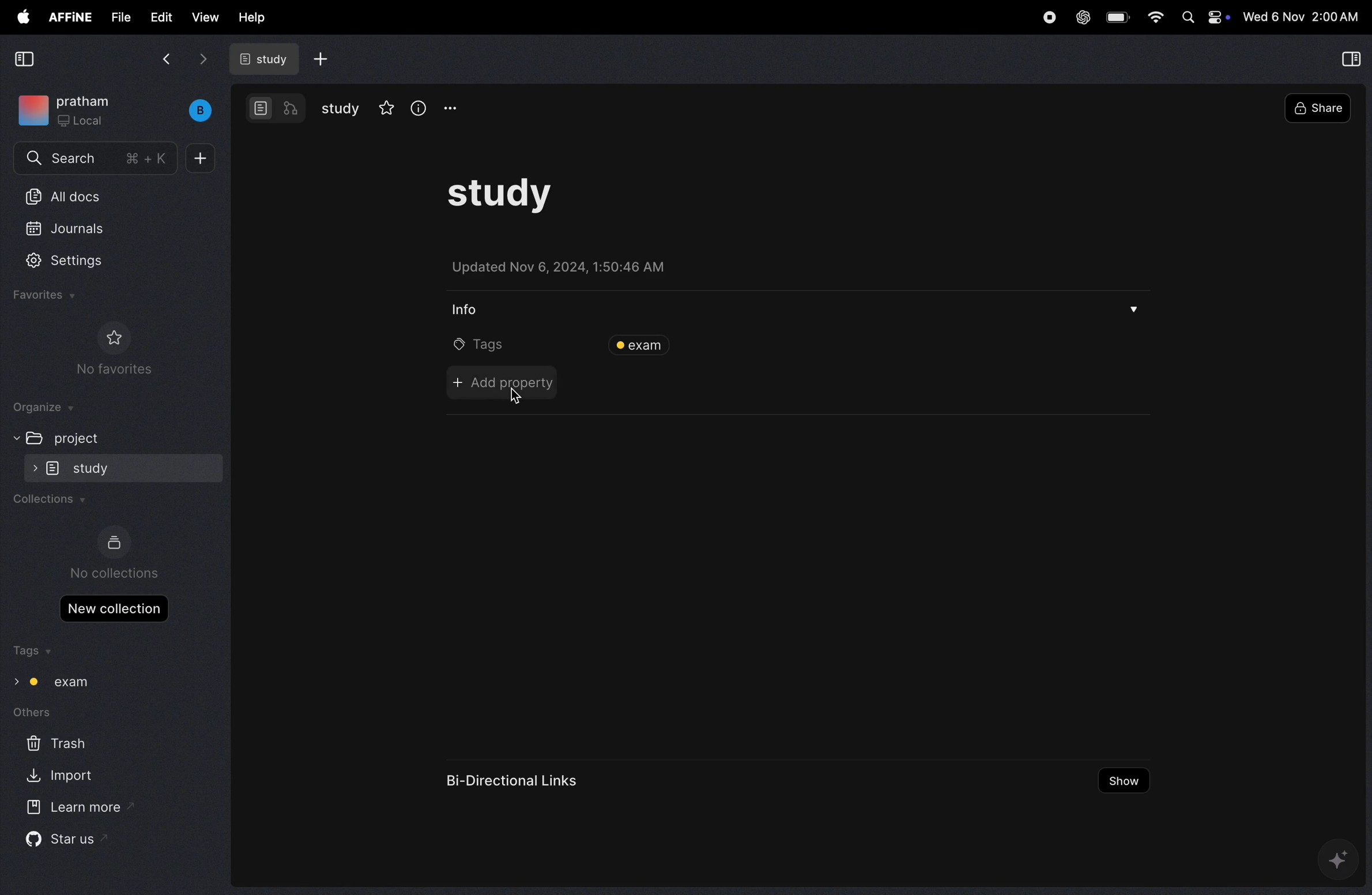 This screenshot has height=895, width=1372. What do you see at coordinates (388, 108) in the screenshot?
I see `favourites` at bounding box center [388, 108].